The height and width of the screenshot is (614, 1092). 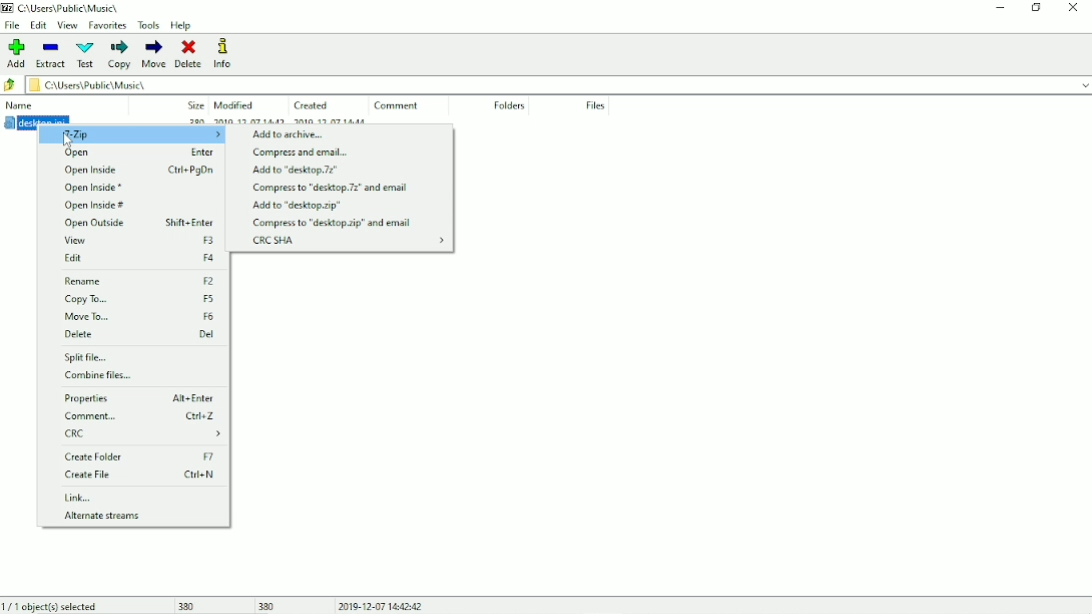 What do you see at coordinates (36, 120) in the screenshot?
I see `desktop.ini` at bounding box center [36, 120].